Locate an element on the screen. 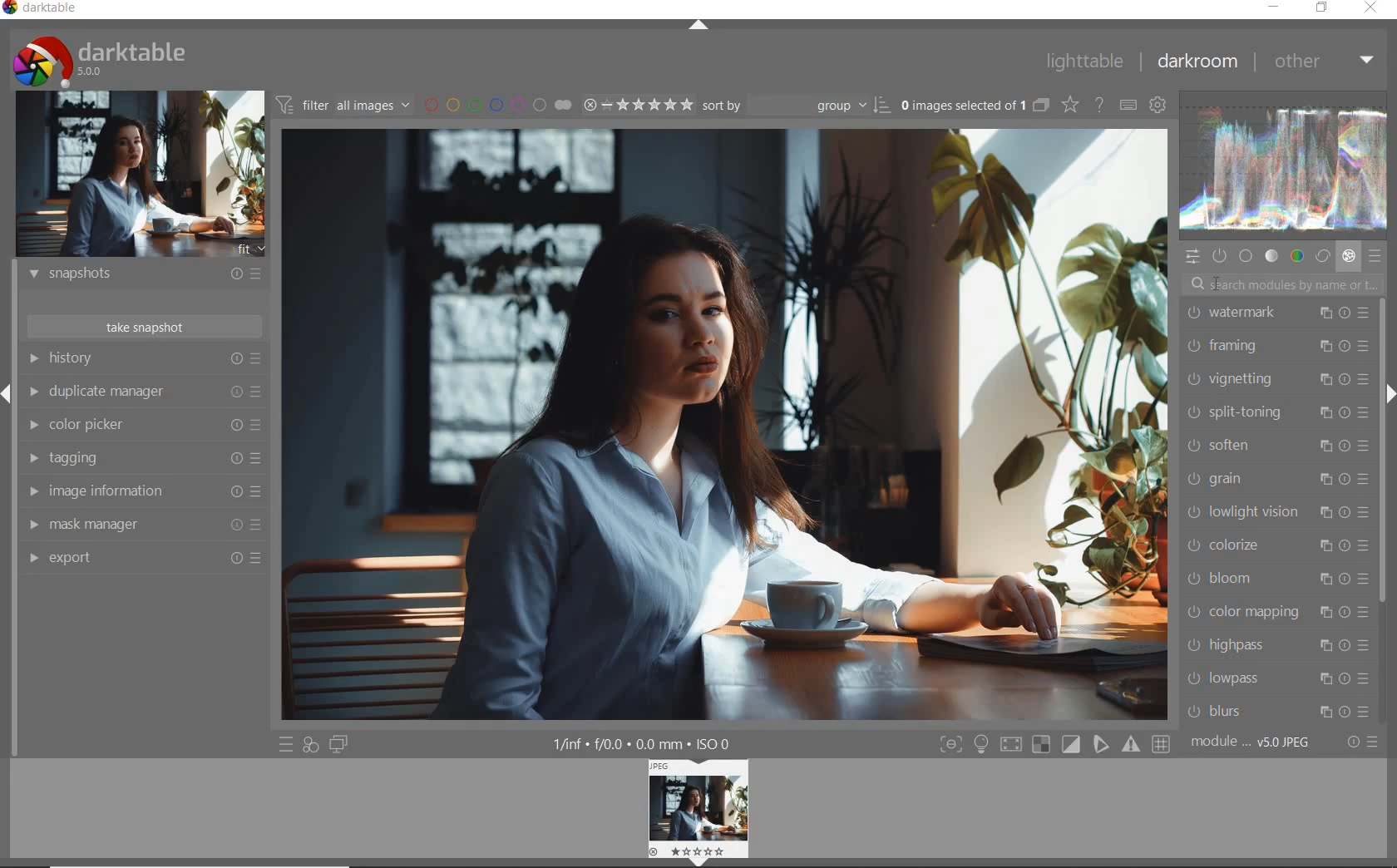 The height and width of the screenshot is (868, 1397). lowlight vision is located at coordinates (1279, 510).